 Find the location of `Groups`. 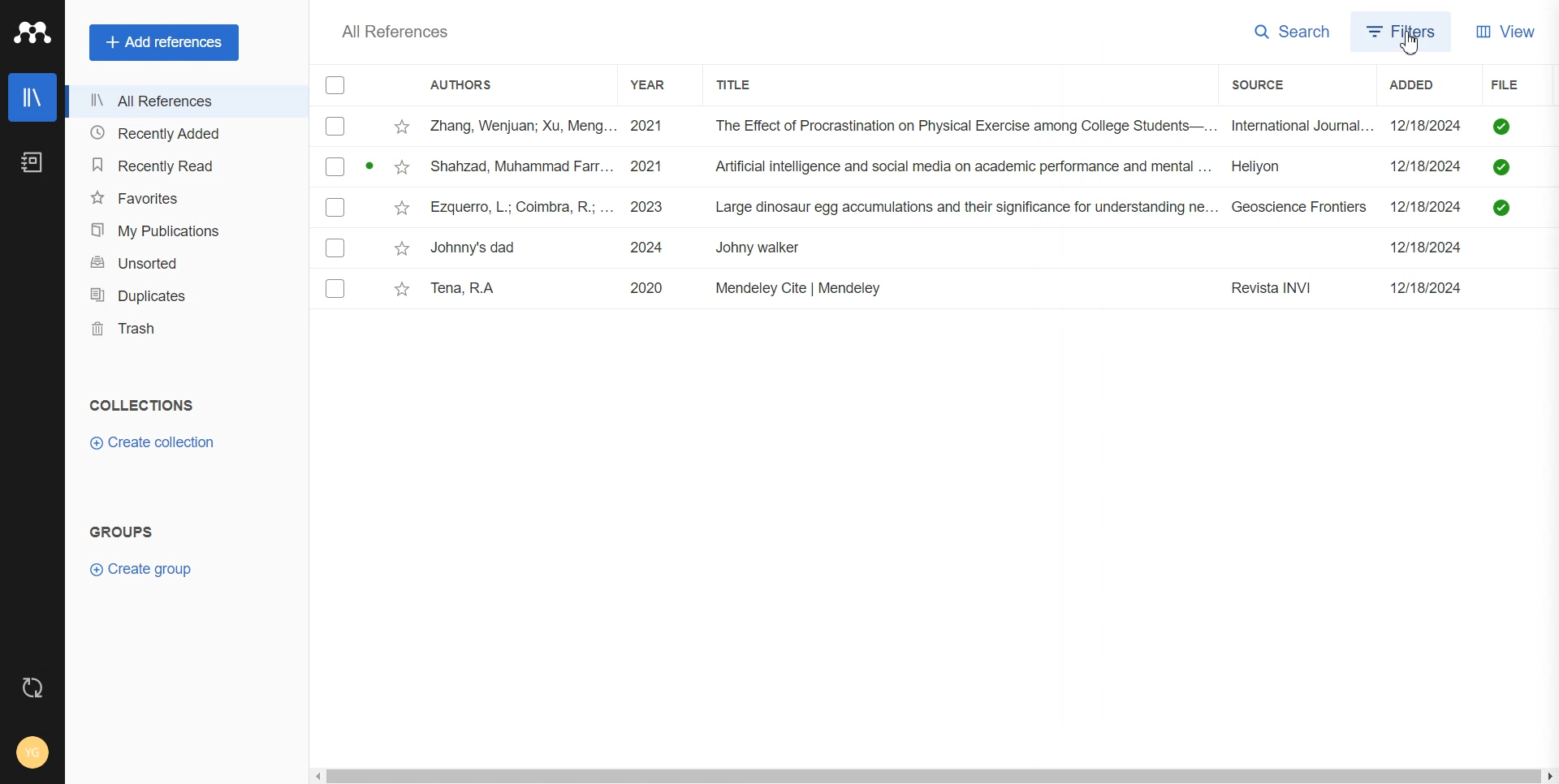

Groups is located at coordinates (122, 531).